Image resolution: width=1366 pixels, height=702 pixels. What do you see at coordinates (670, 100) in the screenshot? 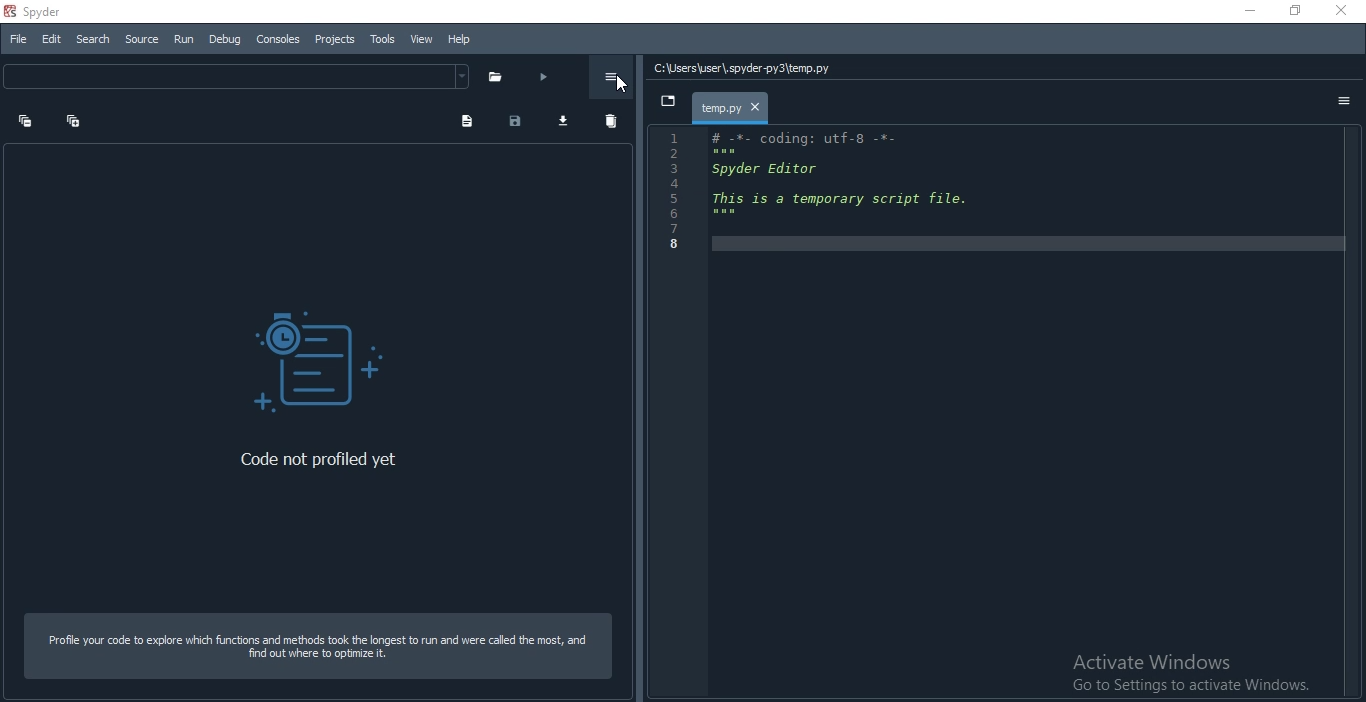
I see `dropdown` at bounding box center [670, 100].